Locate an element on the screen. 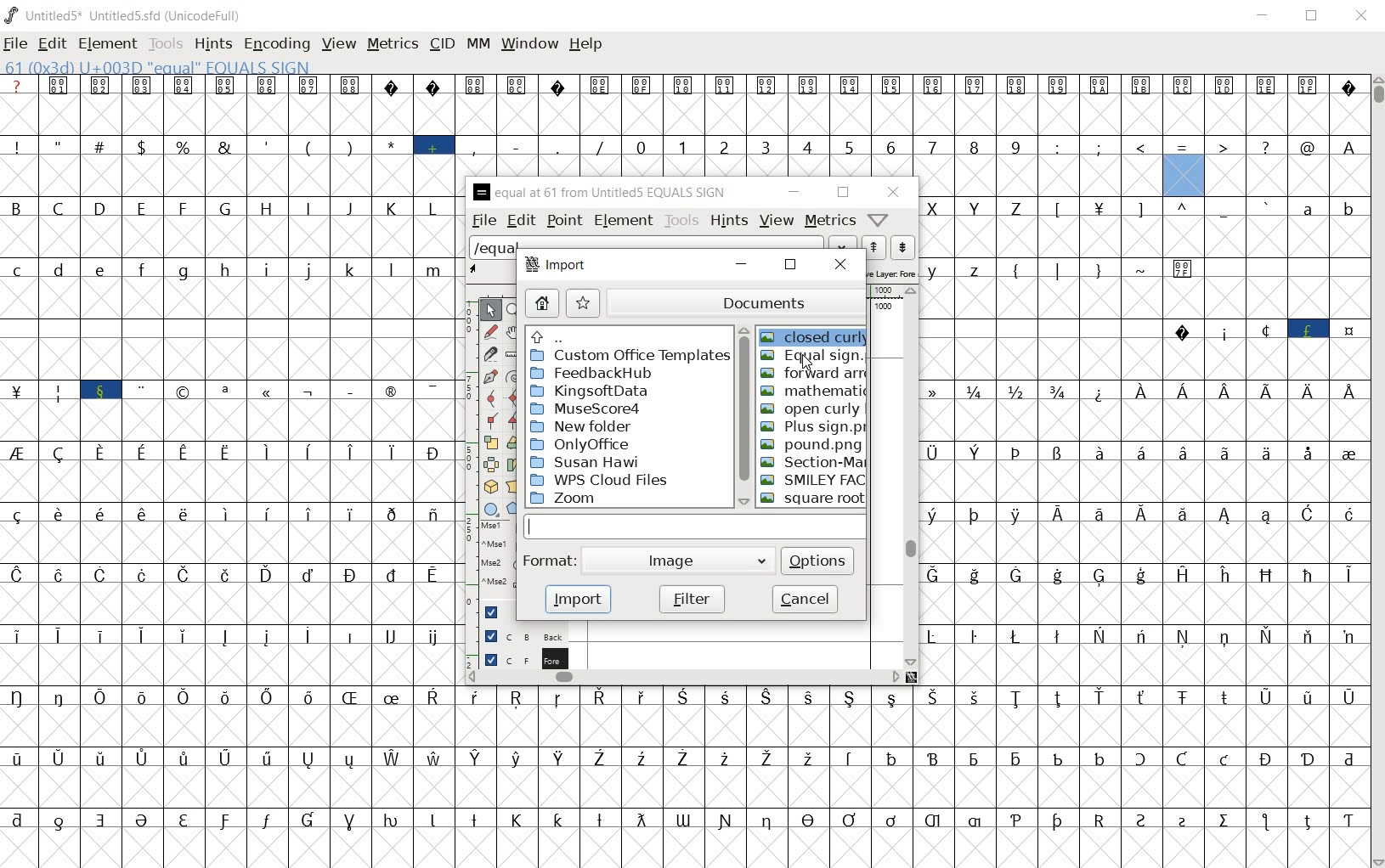  glyphs is located at coordinates (229, 464).